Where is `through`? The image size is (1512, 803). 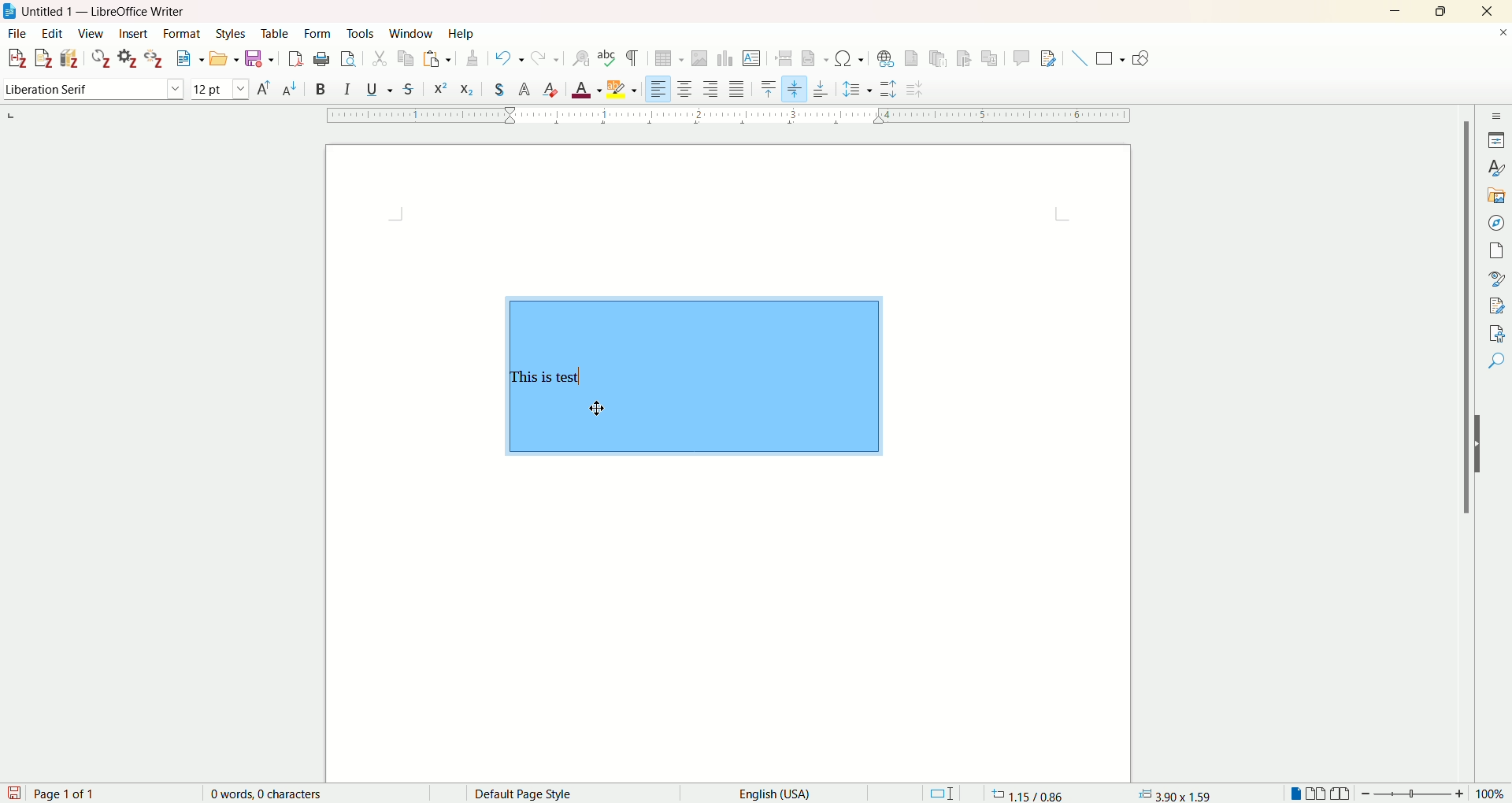
through is located at coordinates (191, 91).